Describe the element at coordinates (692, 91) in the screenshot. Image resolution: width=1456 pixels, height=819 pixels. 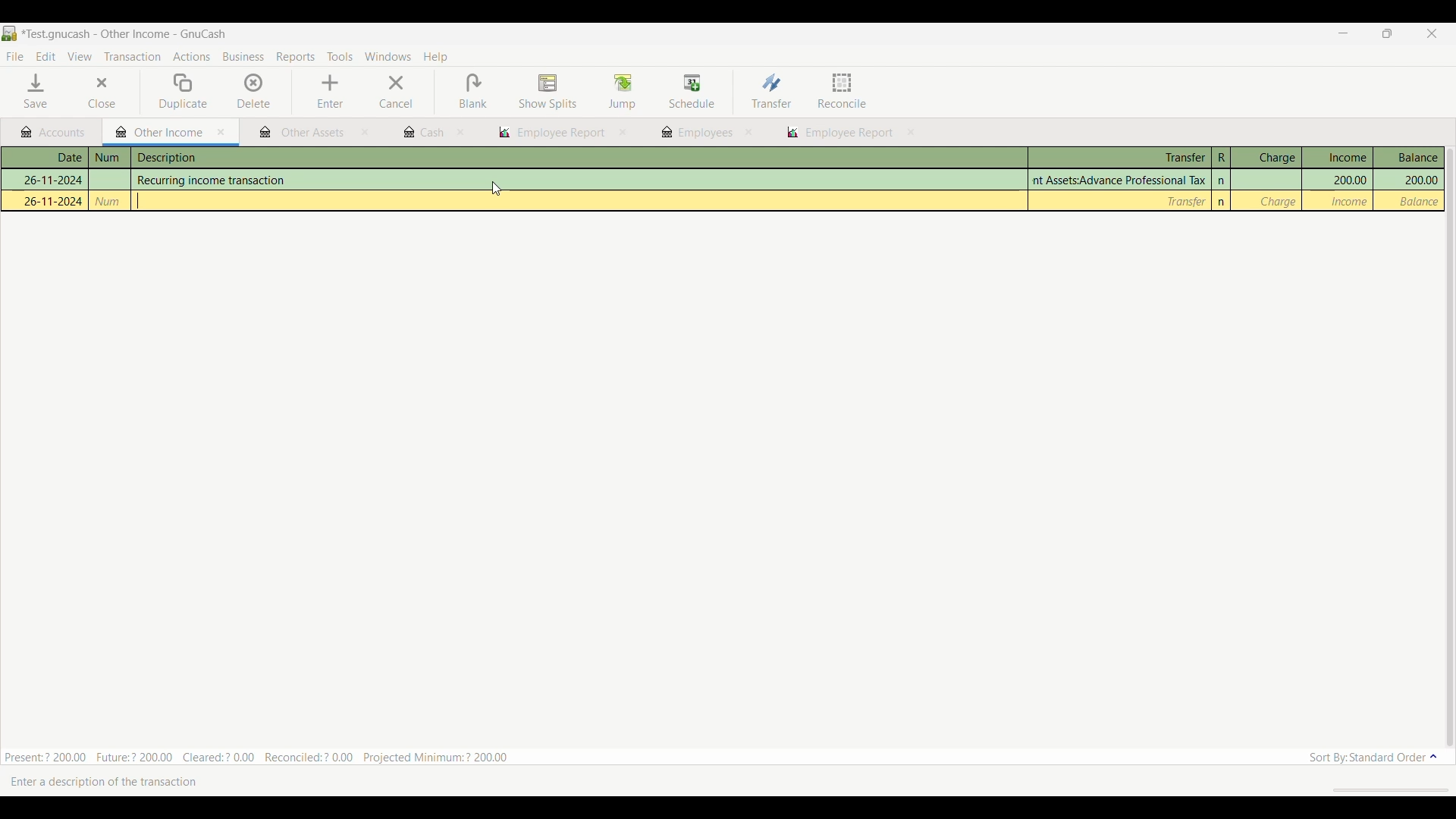
I see `Schedule` at that location.